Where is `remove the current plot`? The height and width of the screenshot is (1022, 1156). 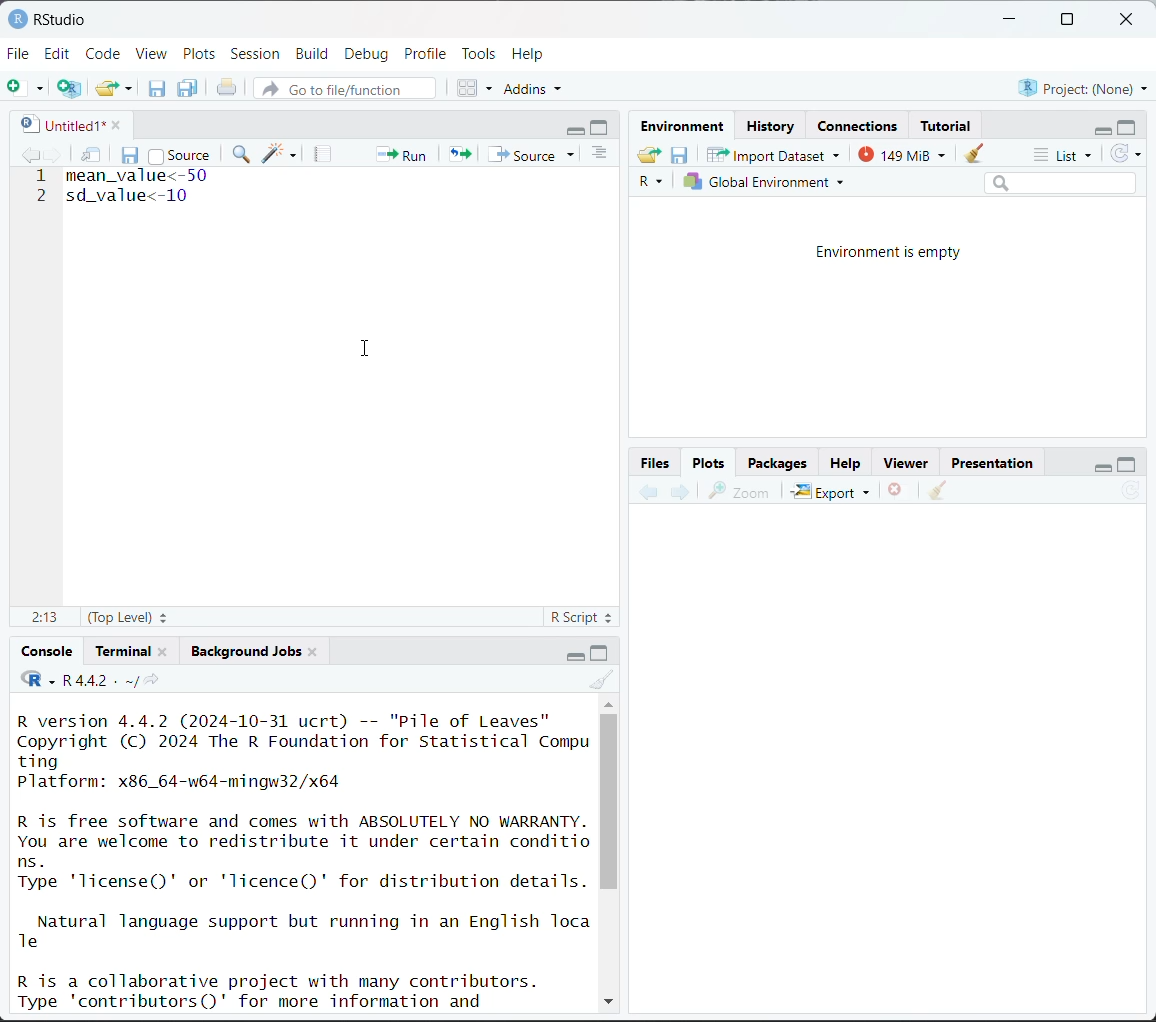 remove the current plot is located at coordinates (896, 493).